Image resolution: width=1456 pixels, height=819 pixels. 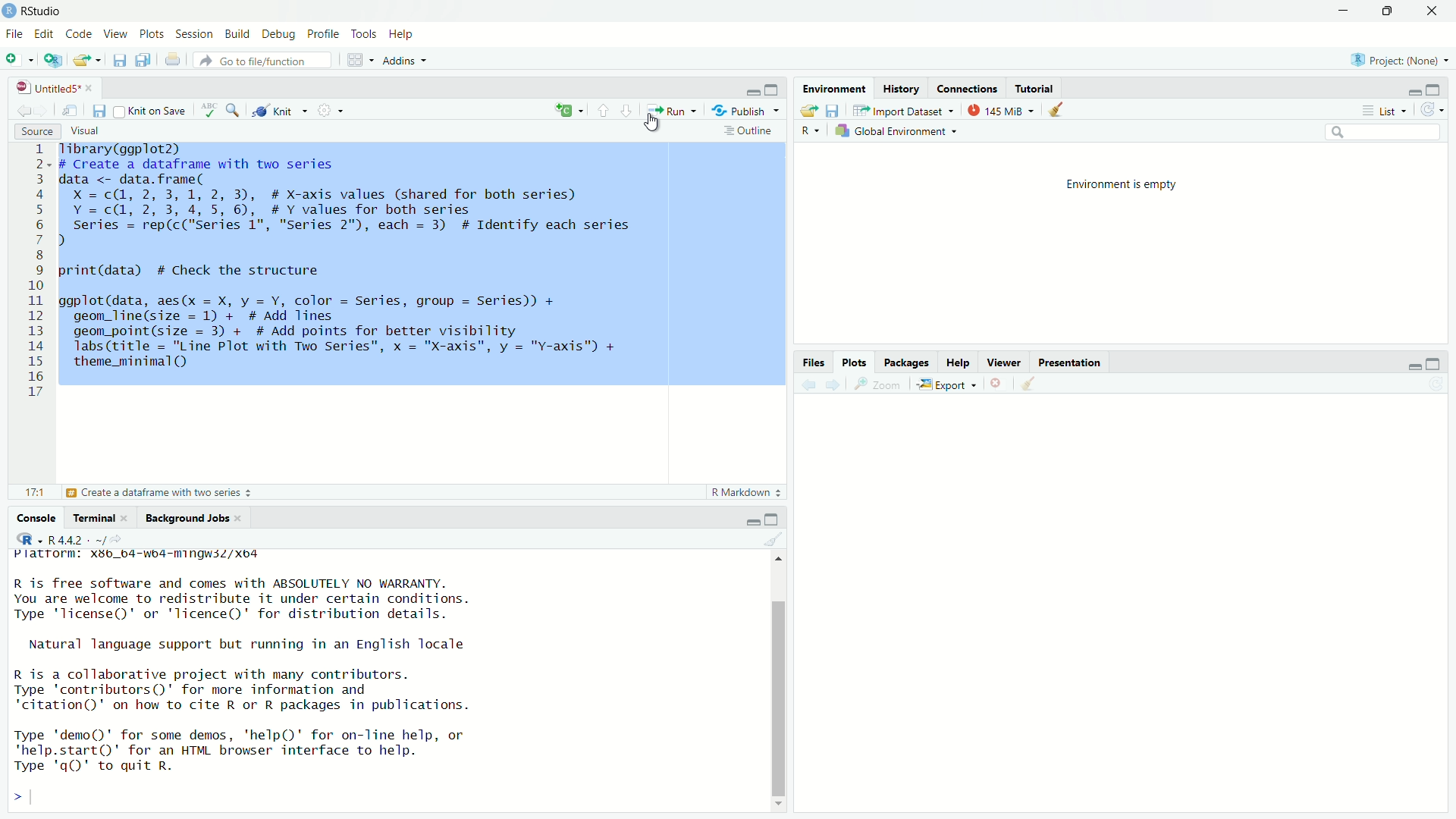 What do you see at coordinates (629, 112) in the screenshot?
I see `Go to next section/chunk` at bounding box center [629, 112].